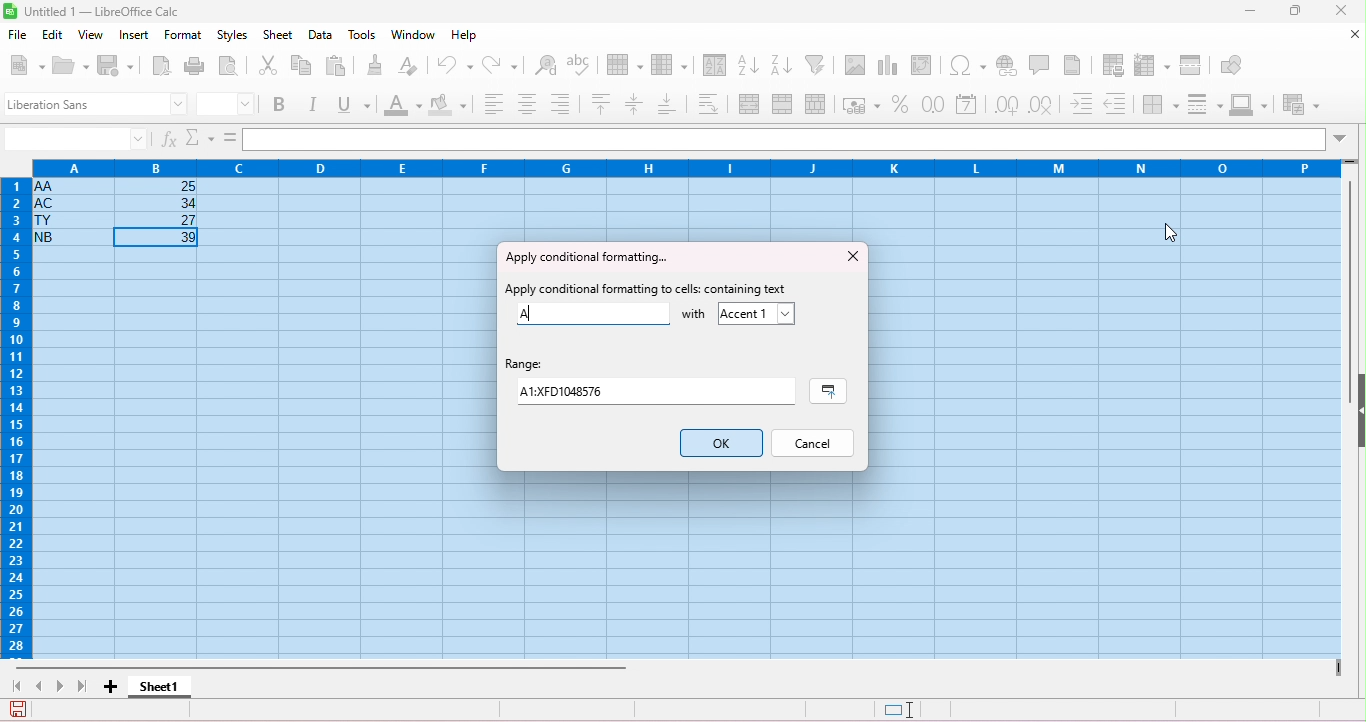 This screenshot has width=1366, height=722. Describe the element at coordinates (694, 313) in the screenshot. I see `with` at that location.